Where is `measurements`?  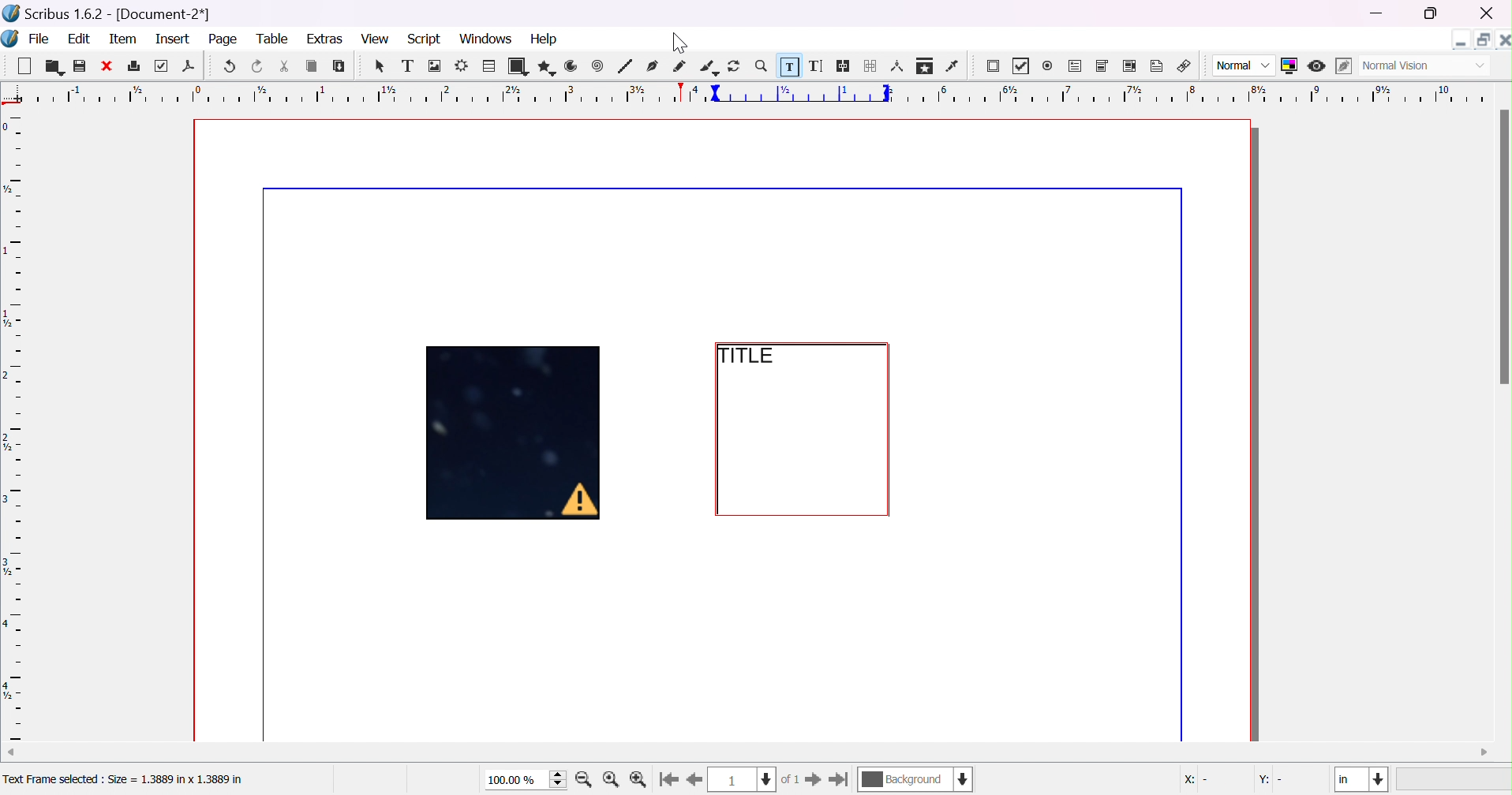
measurements is located at coordinates (897, 66).